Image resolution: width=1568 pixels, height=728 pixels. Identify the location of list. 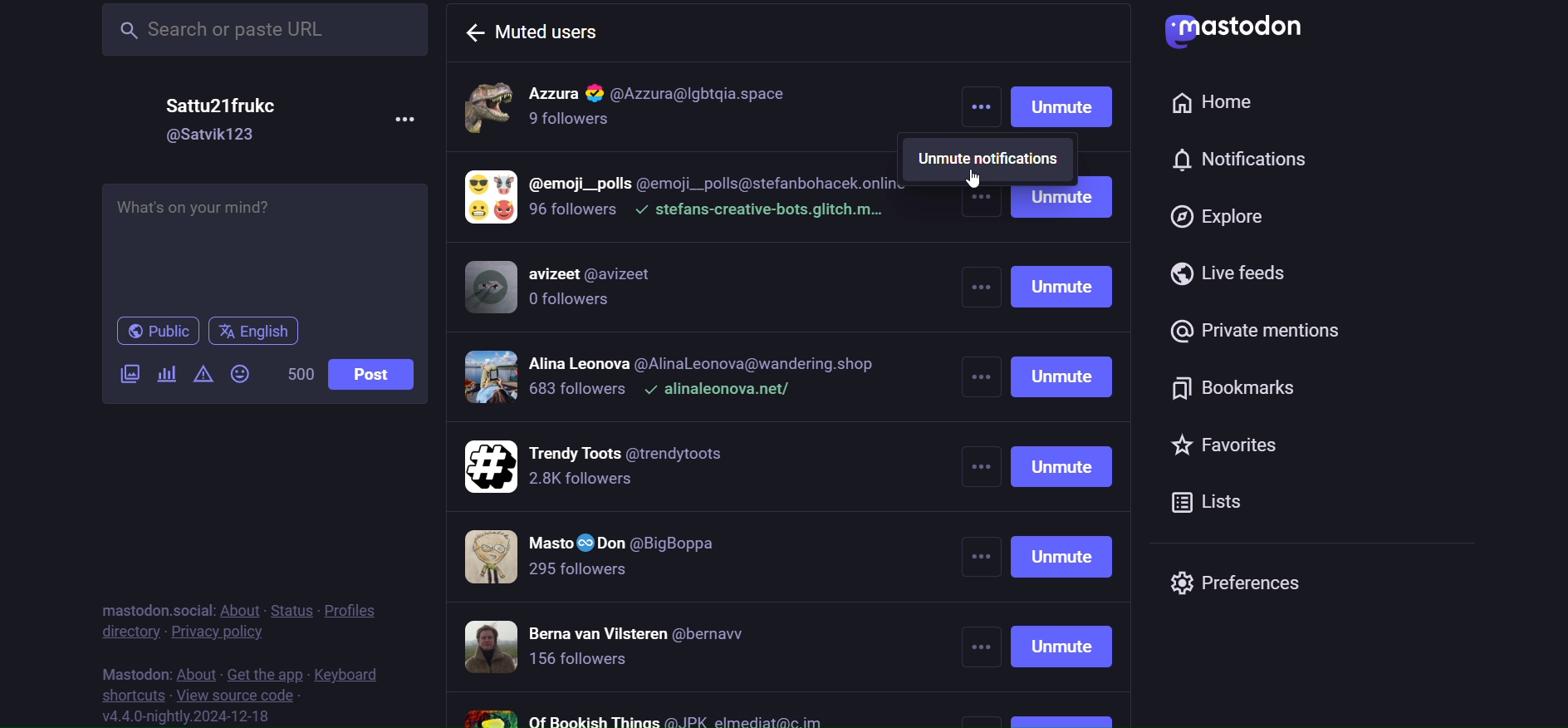
(1224, 501).